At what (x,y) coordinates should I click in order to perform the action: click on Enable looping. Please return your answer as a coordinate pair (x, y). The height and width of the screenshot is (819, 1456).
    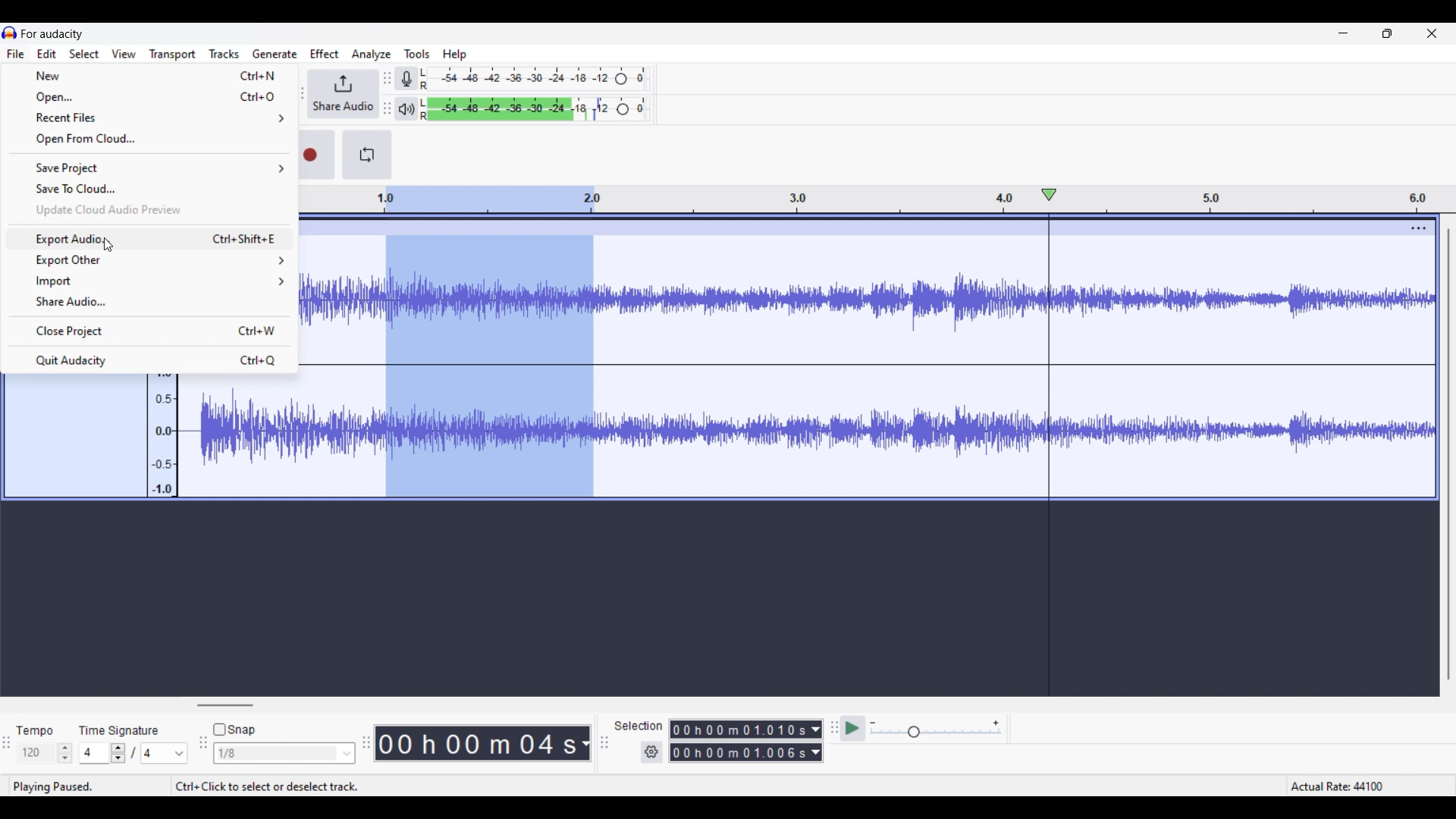
    Looking at the image, I should click on (367, 155).